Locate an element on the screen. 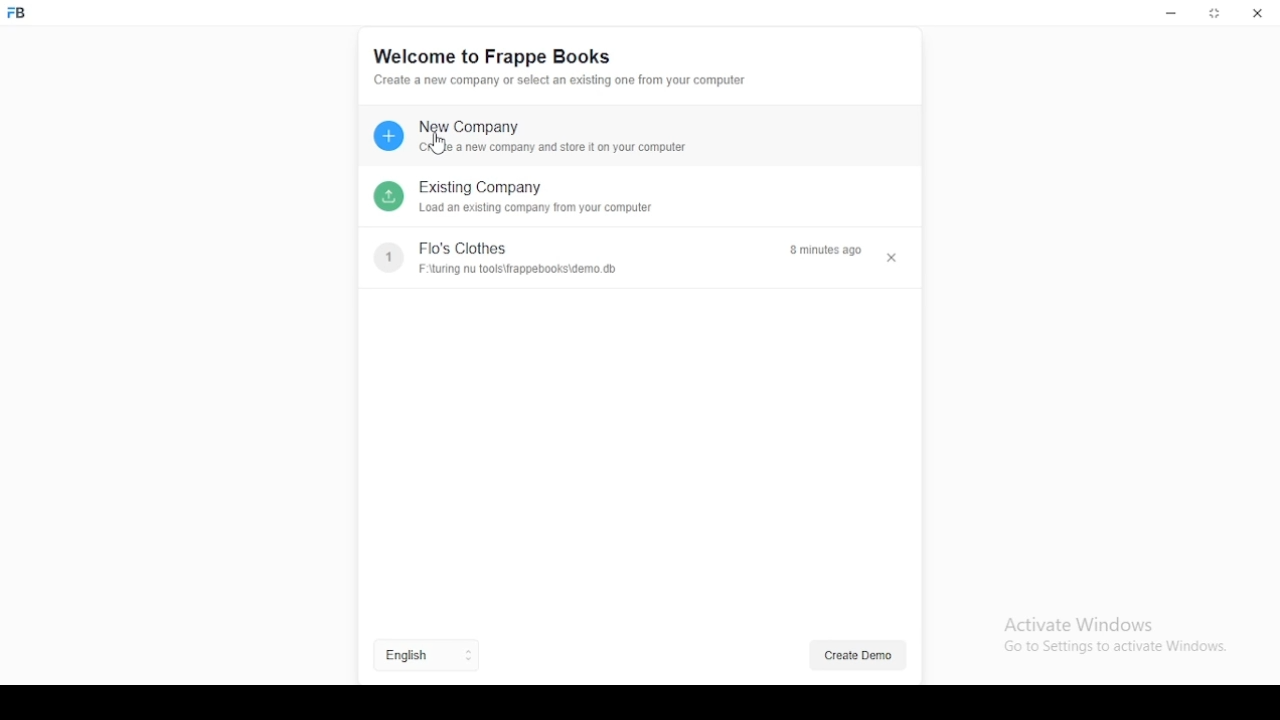 Image resolution: width=1280 pixels, height=720 pixels. create demo is located at coordinates (860, 654).